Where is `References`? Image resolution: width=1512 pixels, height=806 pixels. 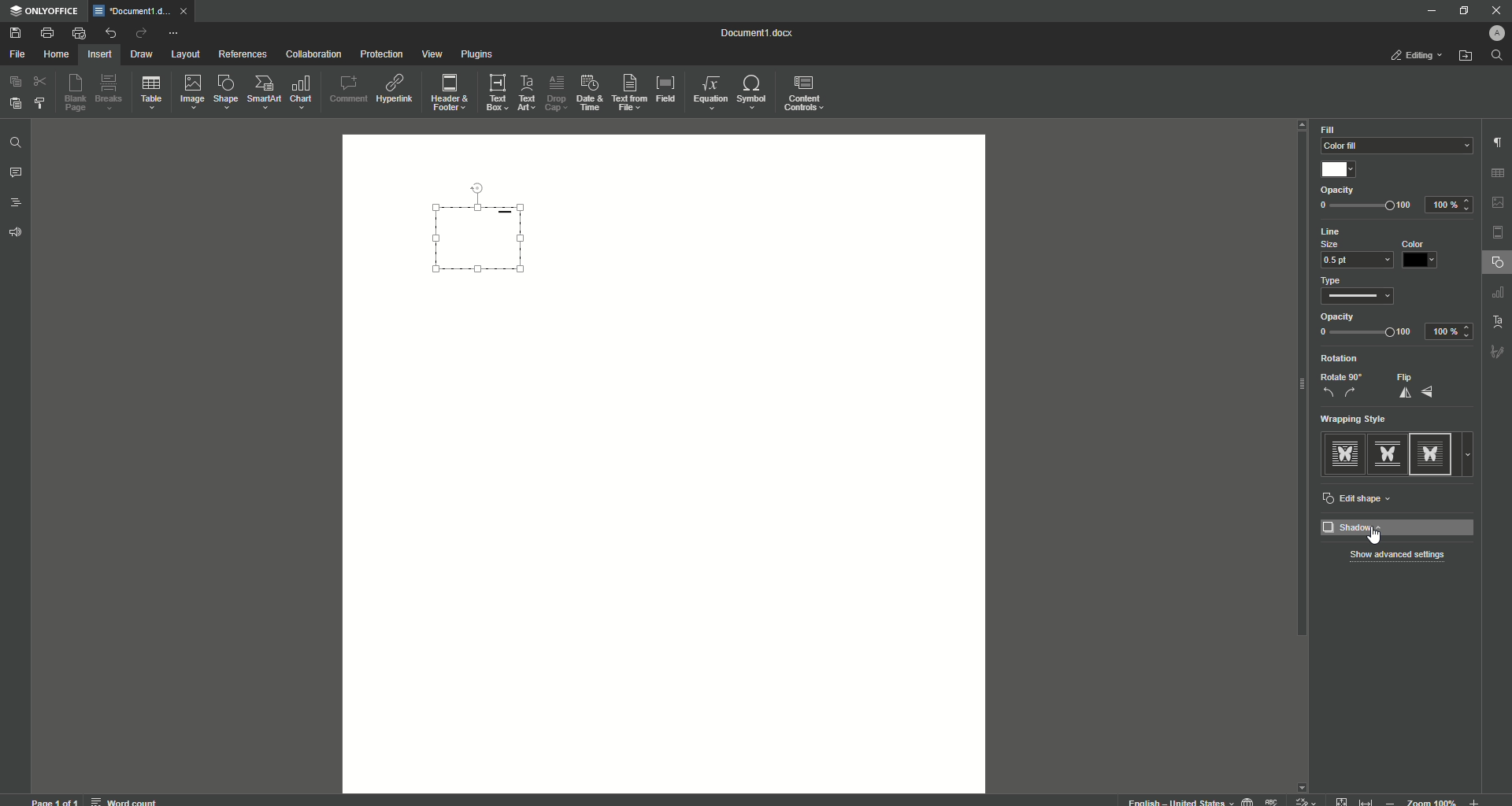 References is located at coordinates (243, 54).